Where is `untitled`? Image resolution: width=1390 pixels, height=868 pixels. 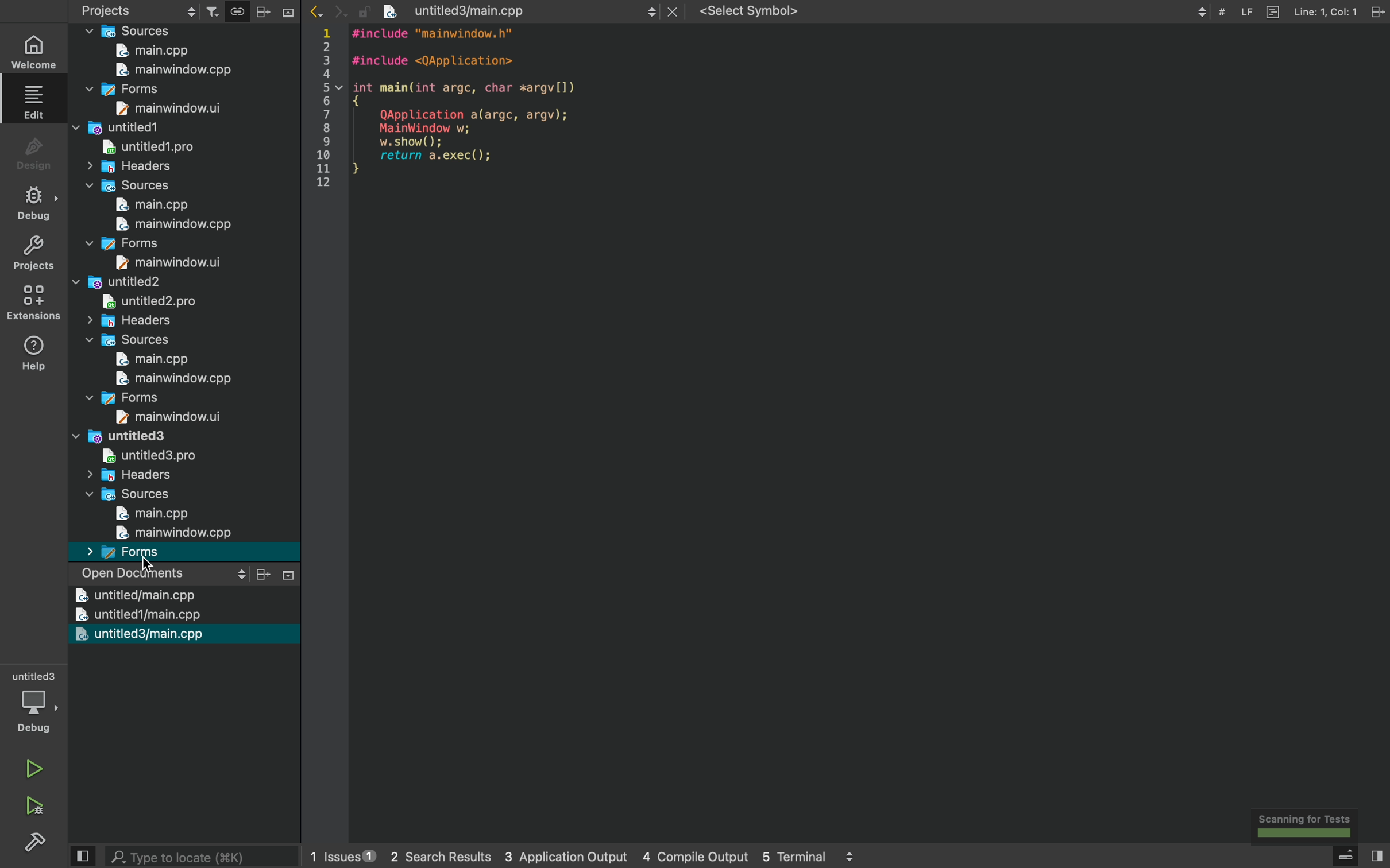
untitled is located at coordinates (115, 283).